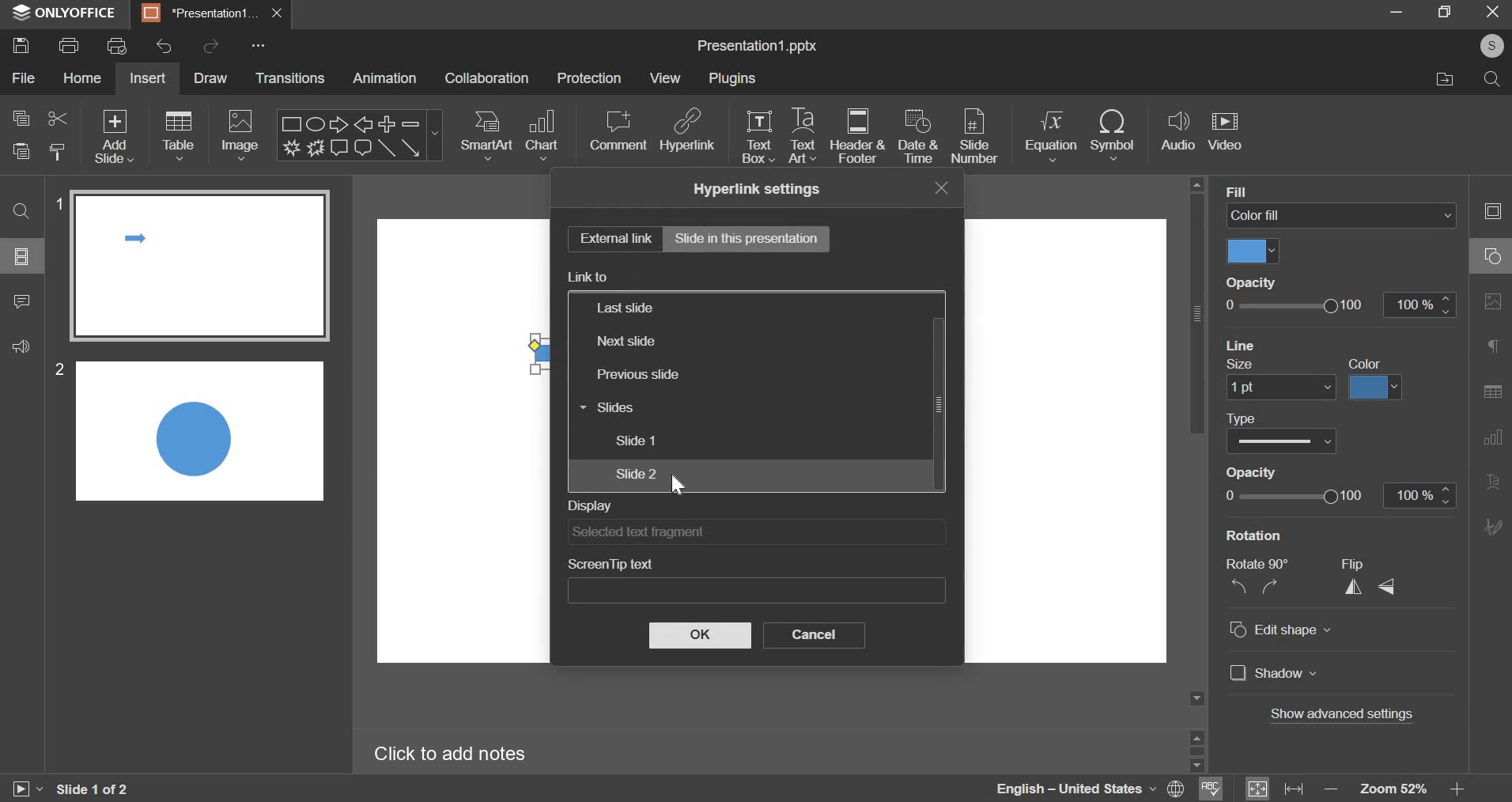 Image resolution: width=1512 pixels, height=802 pixels. I want to click on slide, so click(22, 255).